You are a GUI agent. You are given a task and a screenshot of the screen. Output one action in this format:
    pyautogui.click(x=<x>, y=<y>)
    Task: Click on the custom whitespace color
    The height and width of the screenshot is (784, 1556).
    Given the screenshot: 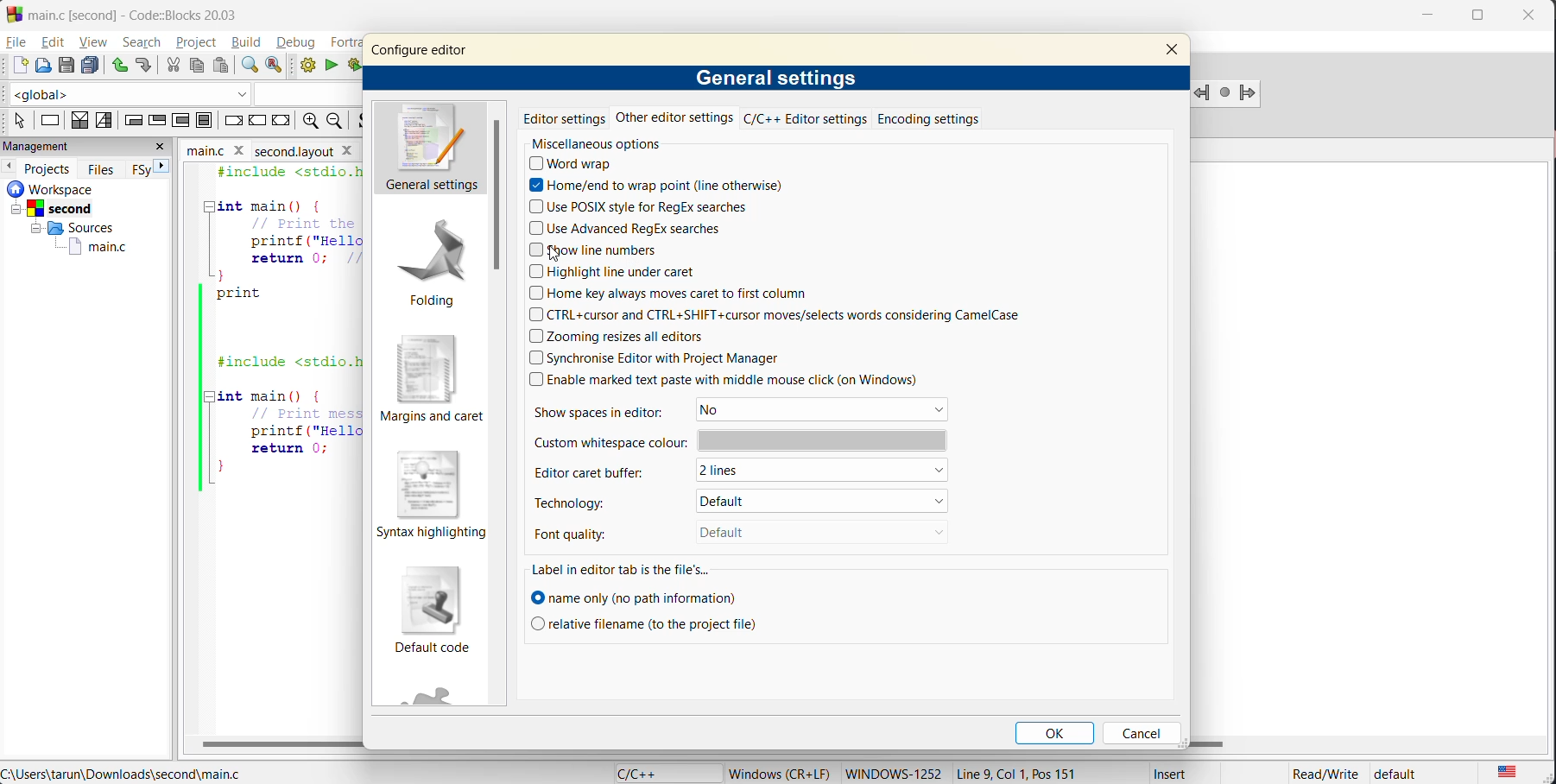 What is the action you would take?
    pyautogui.click(x=741, y=444)
    